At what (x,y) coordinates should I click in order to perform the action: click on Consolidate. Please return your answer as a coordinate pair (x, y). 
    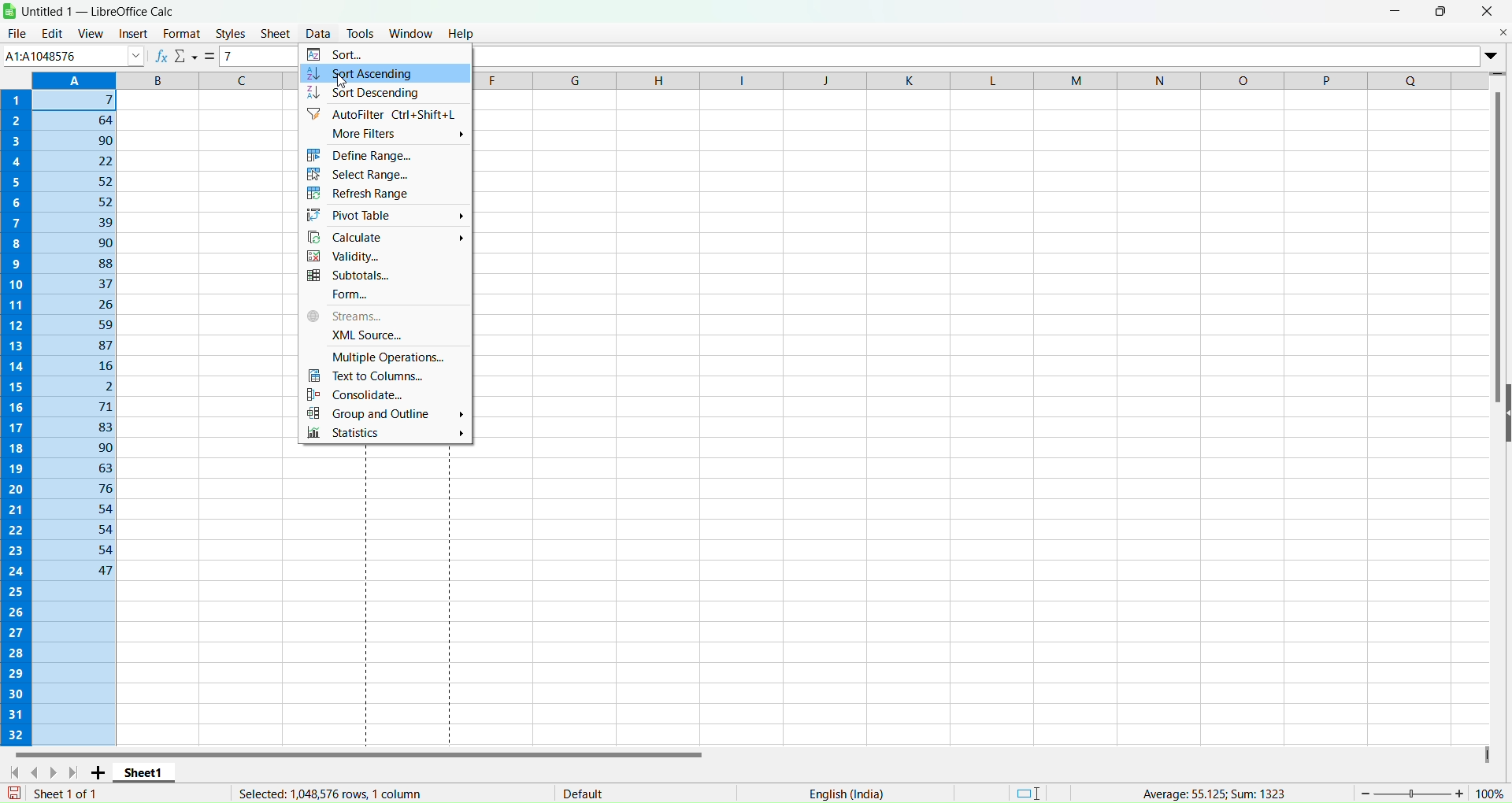
    Looking at the image, I should click on (381, 395).